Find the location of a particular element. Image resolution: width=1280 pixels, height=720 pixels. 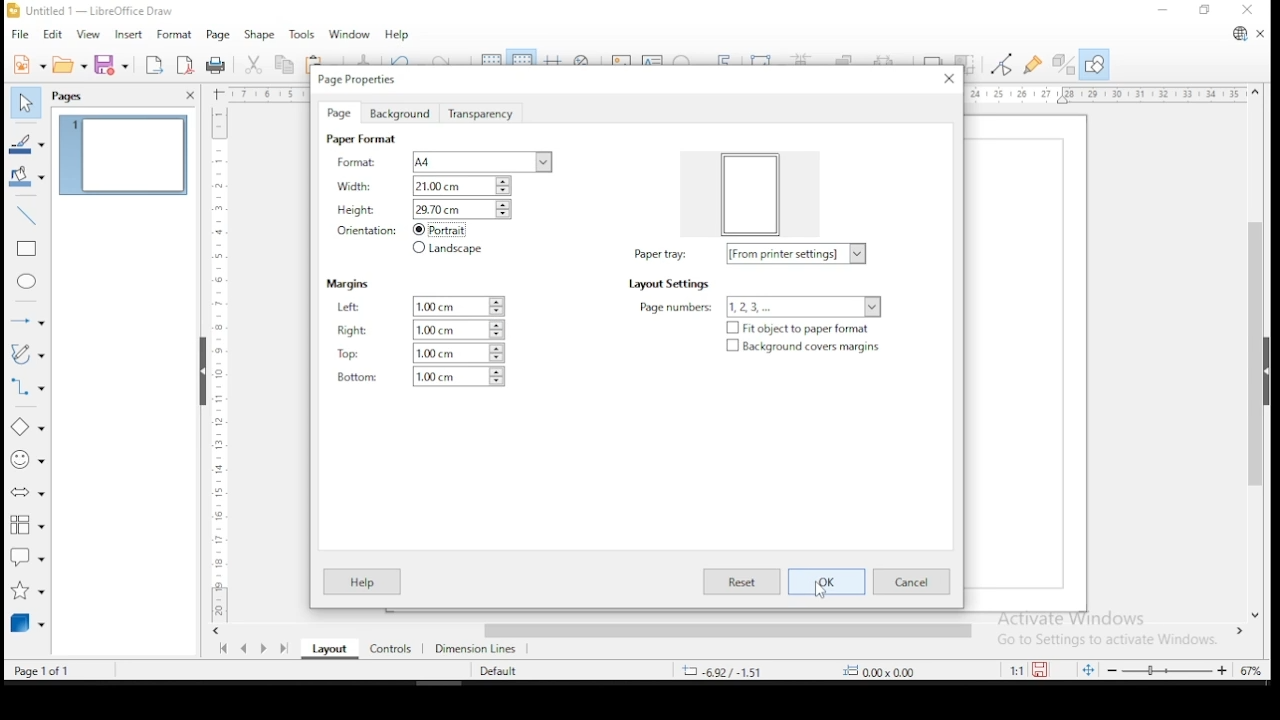

width is located at coordinates (441, 186).